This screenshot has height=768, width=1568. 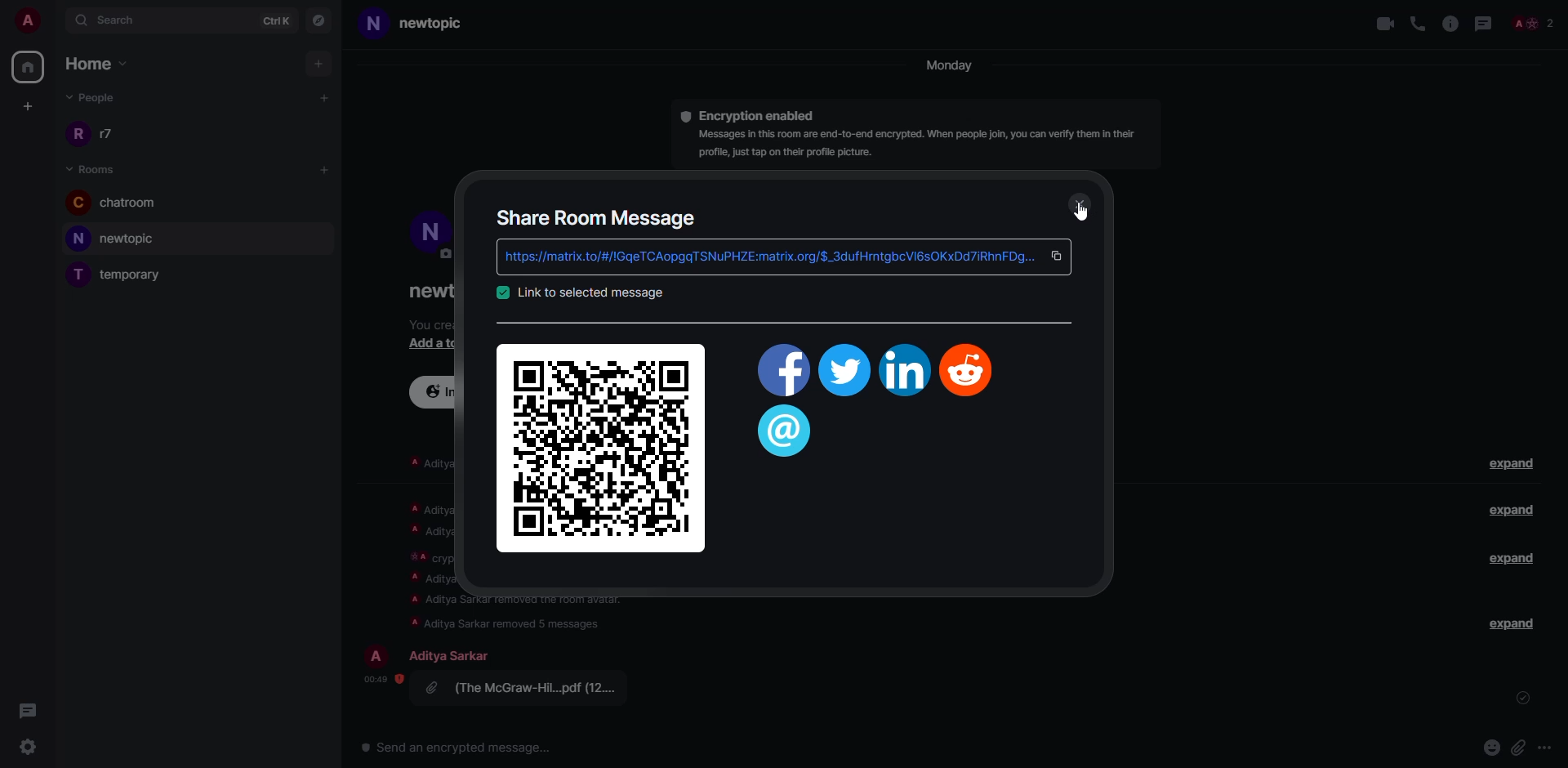 I want to click on Monday, so click(x=951, y=66).